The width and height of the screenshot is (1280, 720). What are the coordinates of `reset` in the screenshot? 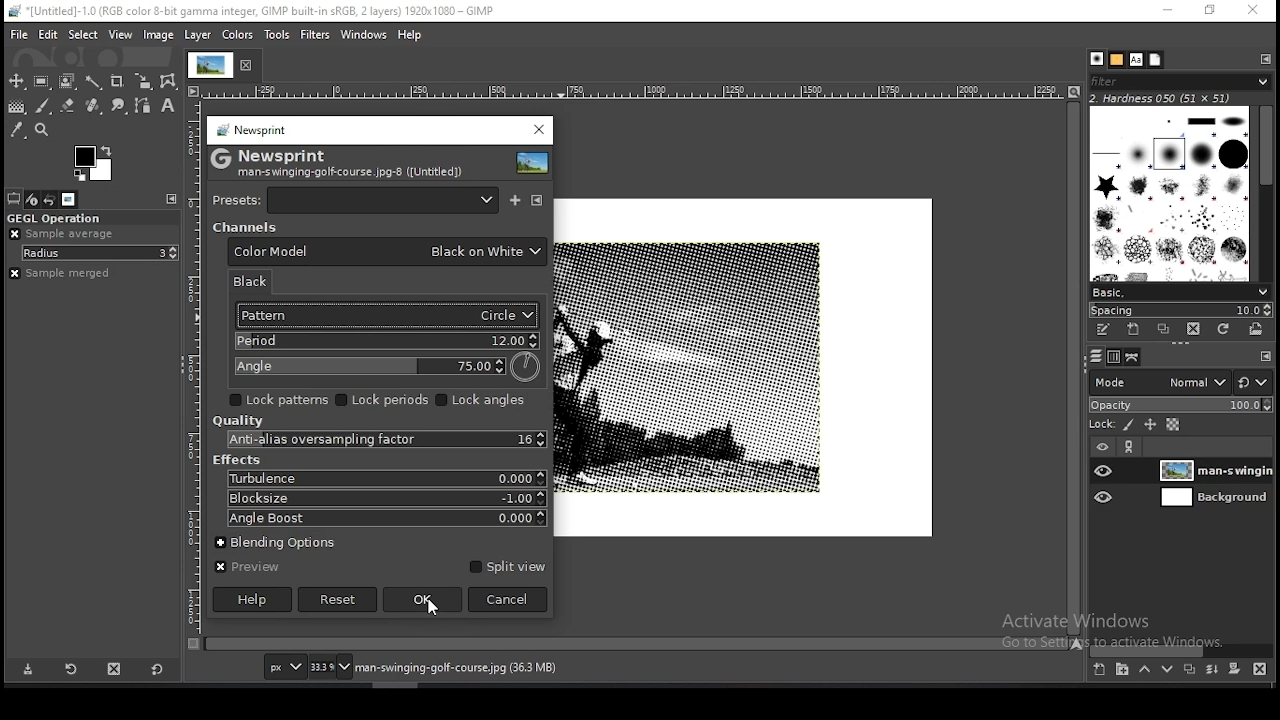 It's located at (158, 668).